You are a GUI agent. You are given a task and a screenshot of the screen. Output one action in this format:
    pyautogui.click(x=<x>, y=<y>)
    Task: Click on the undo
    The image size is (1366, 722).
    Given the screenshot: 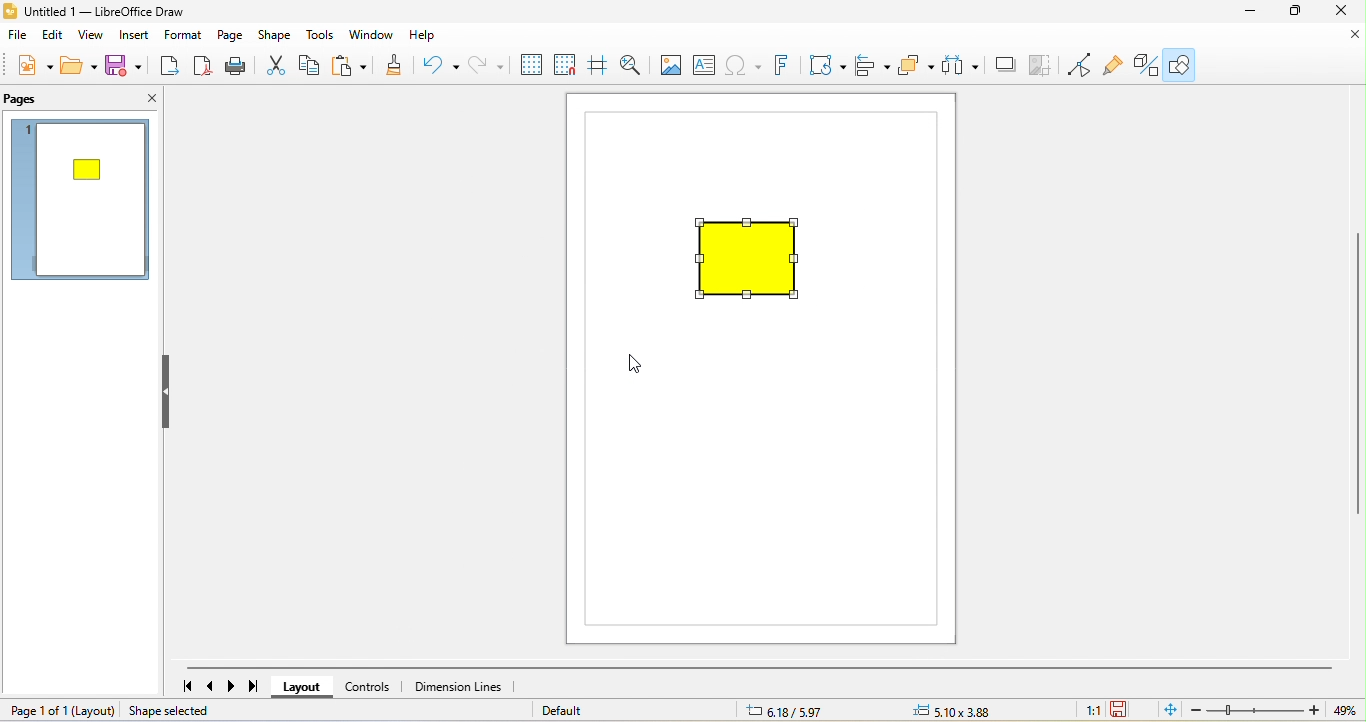 What is the action you would take?
    pyautogui.click(x=437, y=65)
    